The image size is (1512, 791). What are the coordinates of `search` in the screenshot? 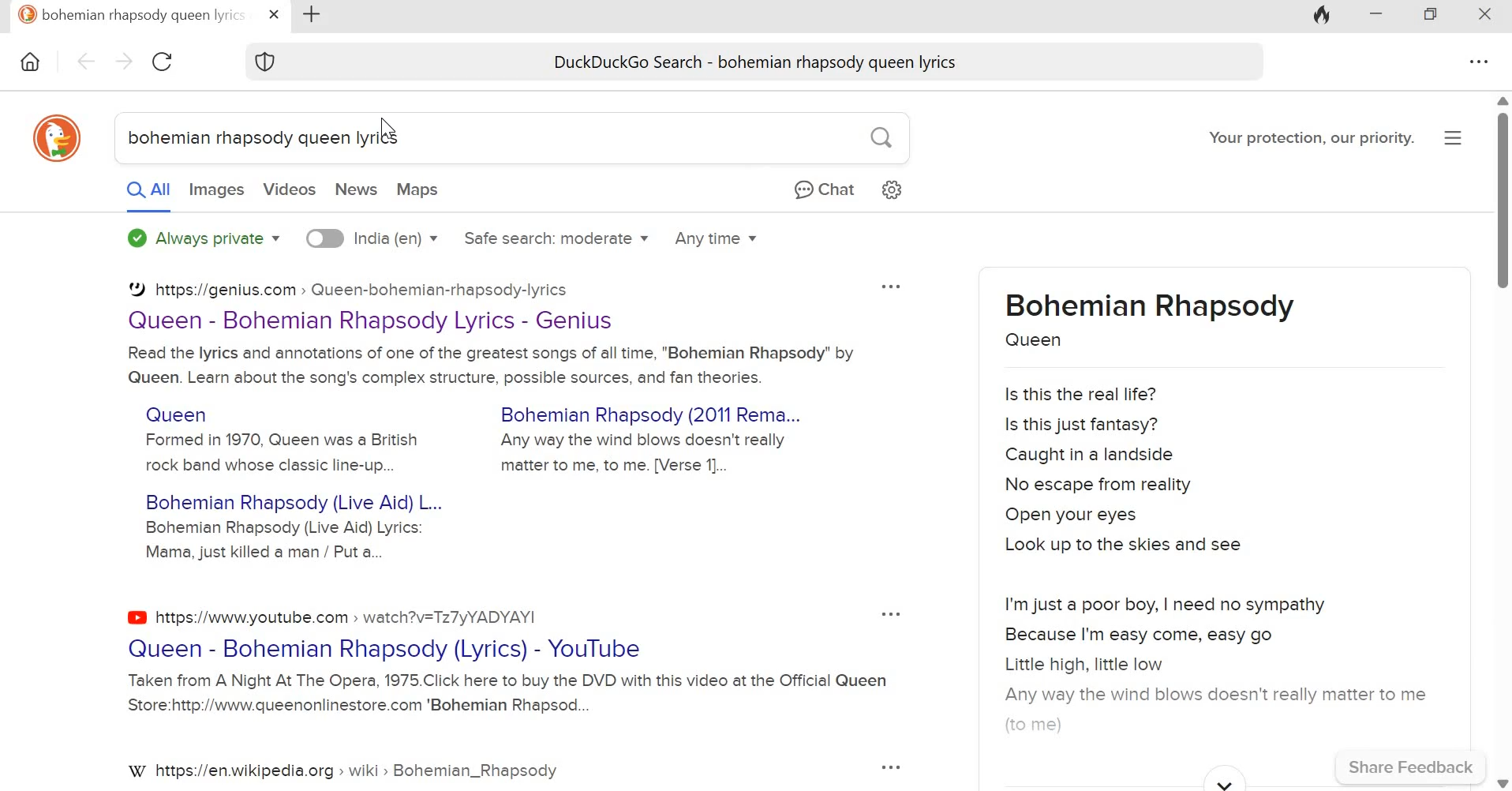 It's located at (885, 142).